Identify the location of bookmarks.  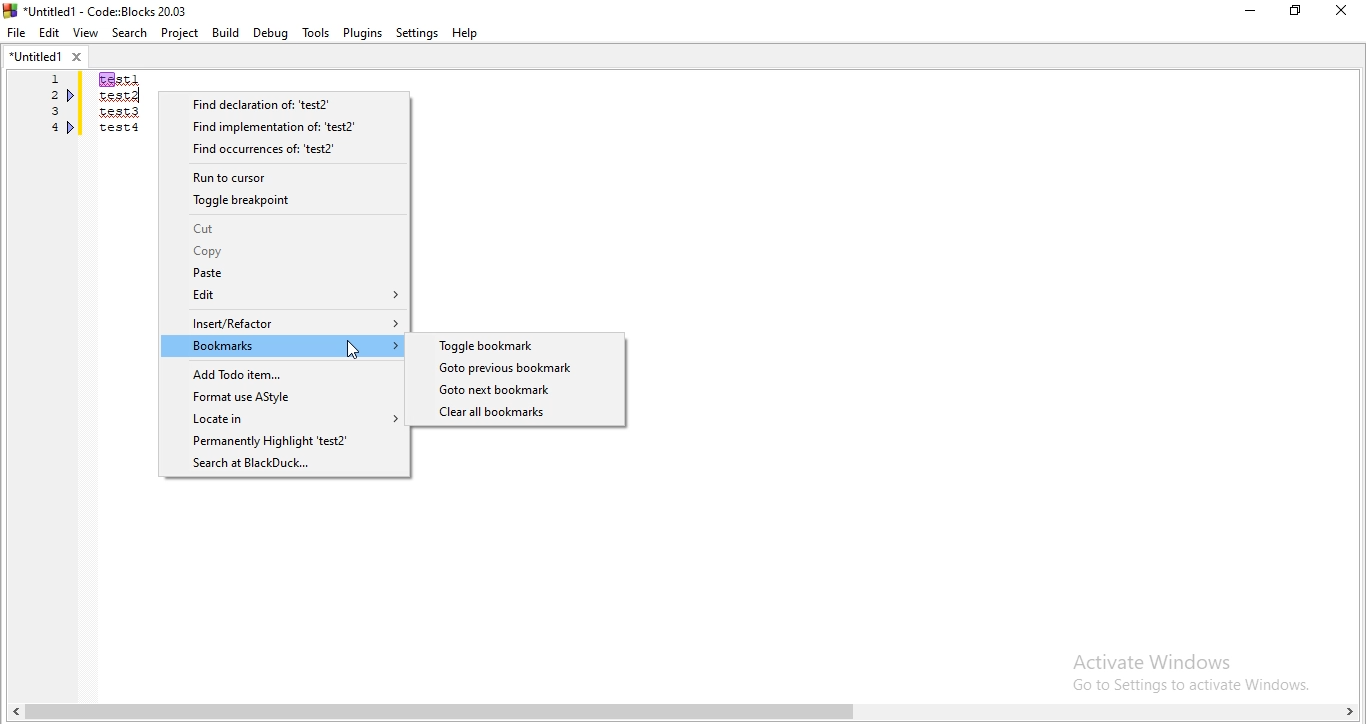
(72, 96).